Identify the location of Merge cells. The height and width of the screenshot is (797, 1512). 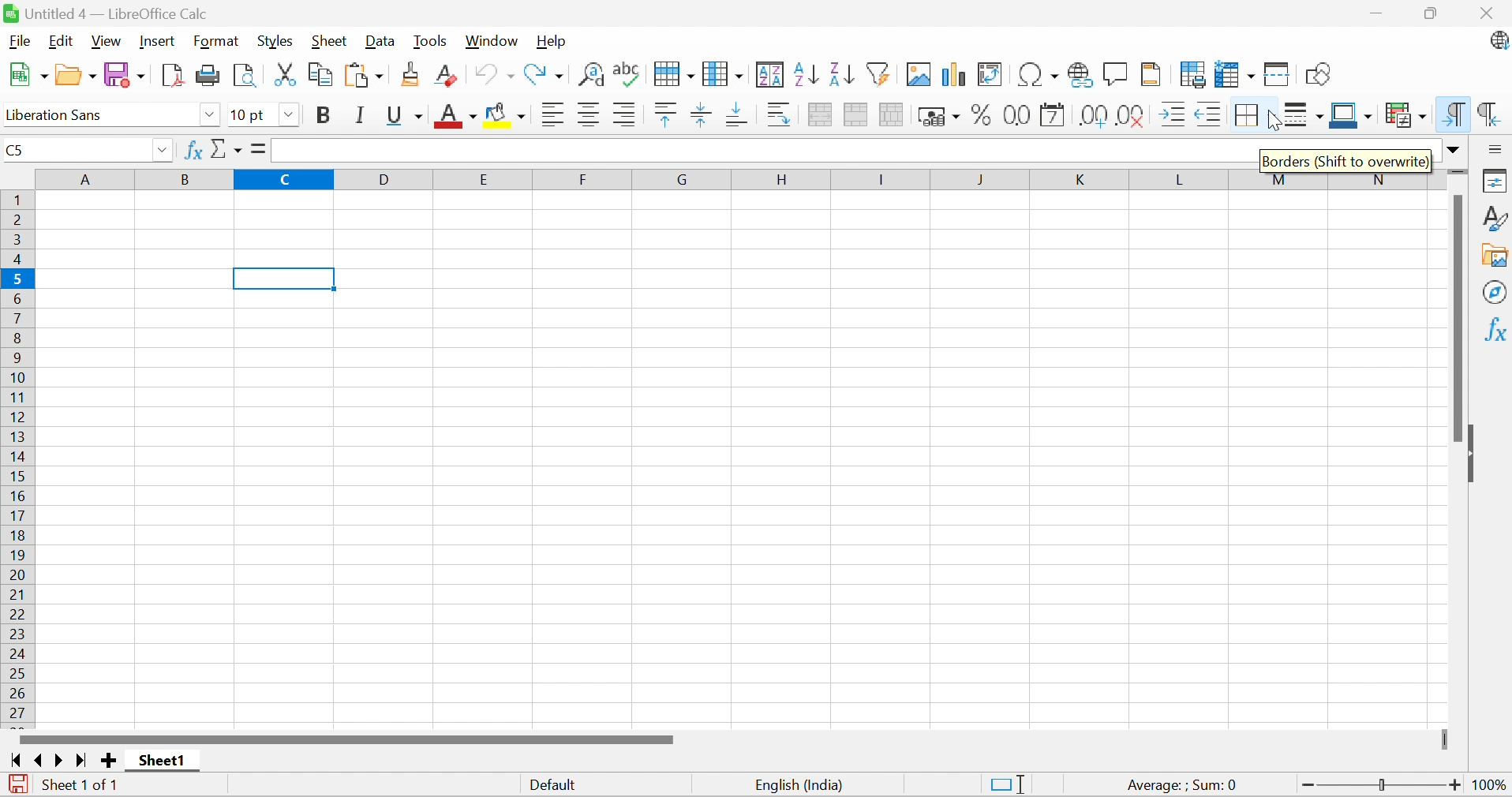
(857, 116).